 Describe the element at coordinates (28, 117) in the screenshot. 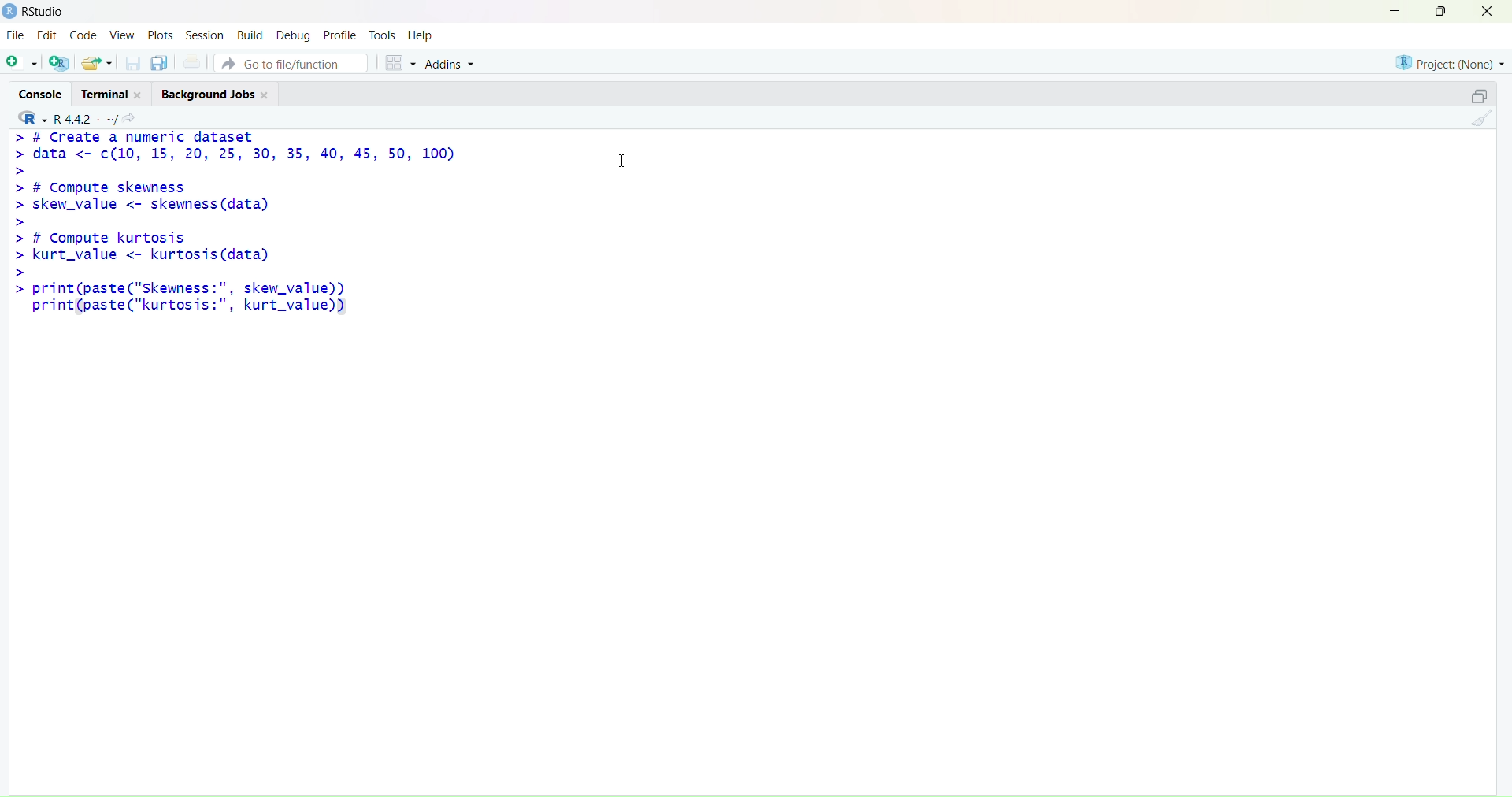

I see `R` at that location.